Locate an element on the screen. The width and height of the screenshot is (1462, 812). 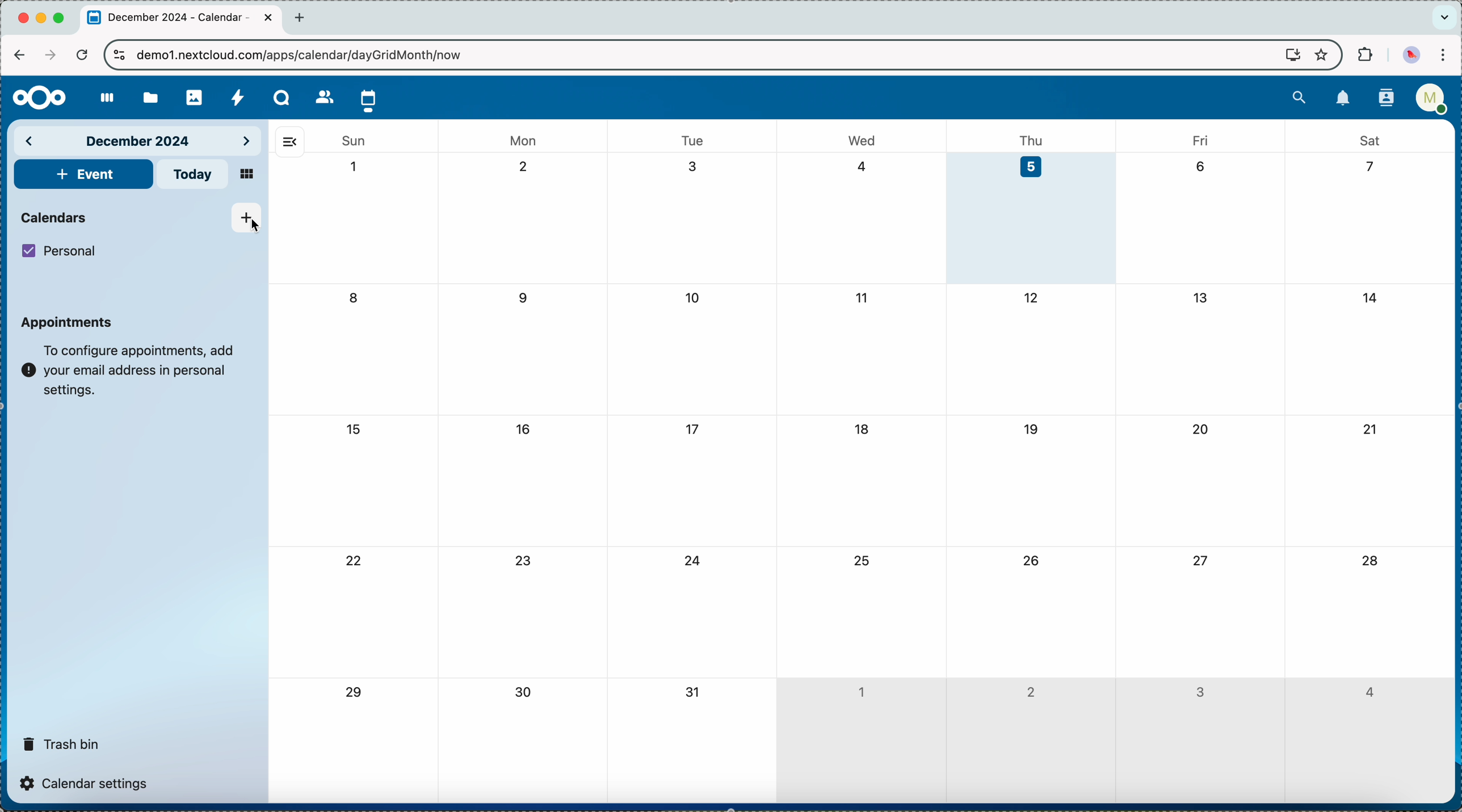
11 is located at coordinates (860, 297).